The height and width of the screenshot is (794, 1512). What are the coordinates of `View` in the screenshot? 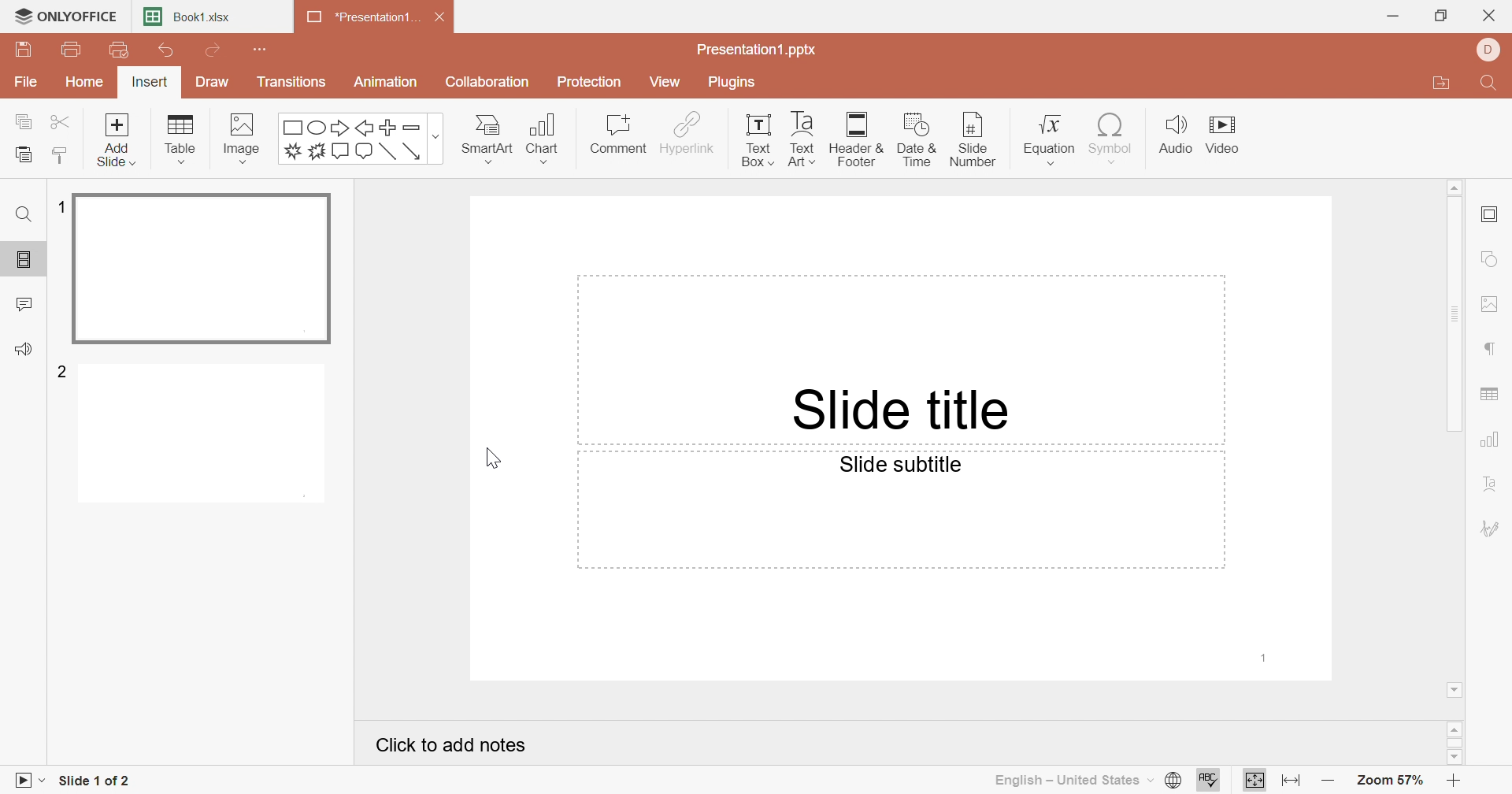 It's located at (664, 81).